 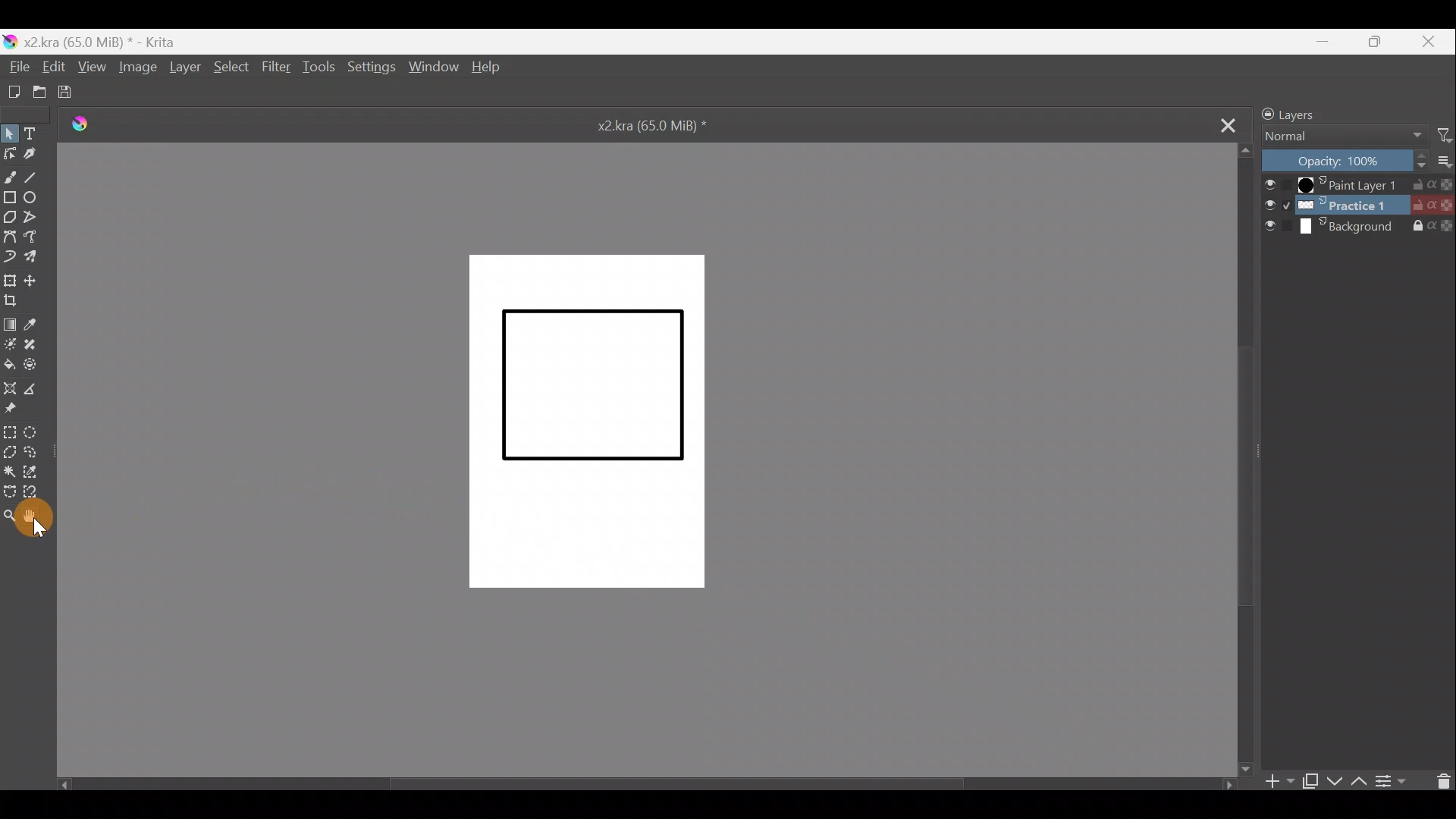 I want to click on Move a layer, so click(x=33, y=280).